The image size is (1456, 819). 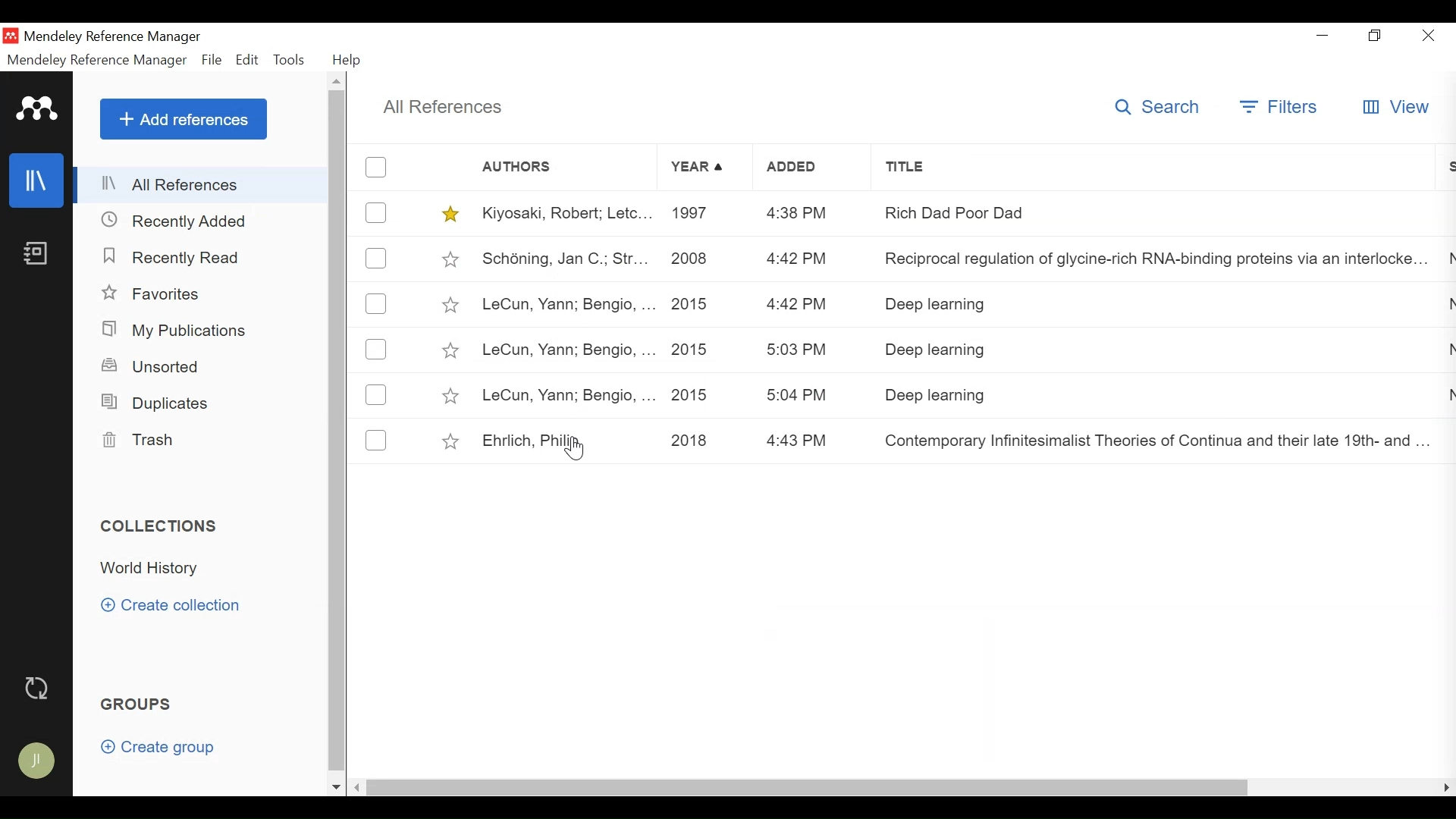 What do you see at coordinates (1446, 786) in the screenshot?
I see `scroll right` at bounding box center [1446, 786].